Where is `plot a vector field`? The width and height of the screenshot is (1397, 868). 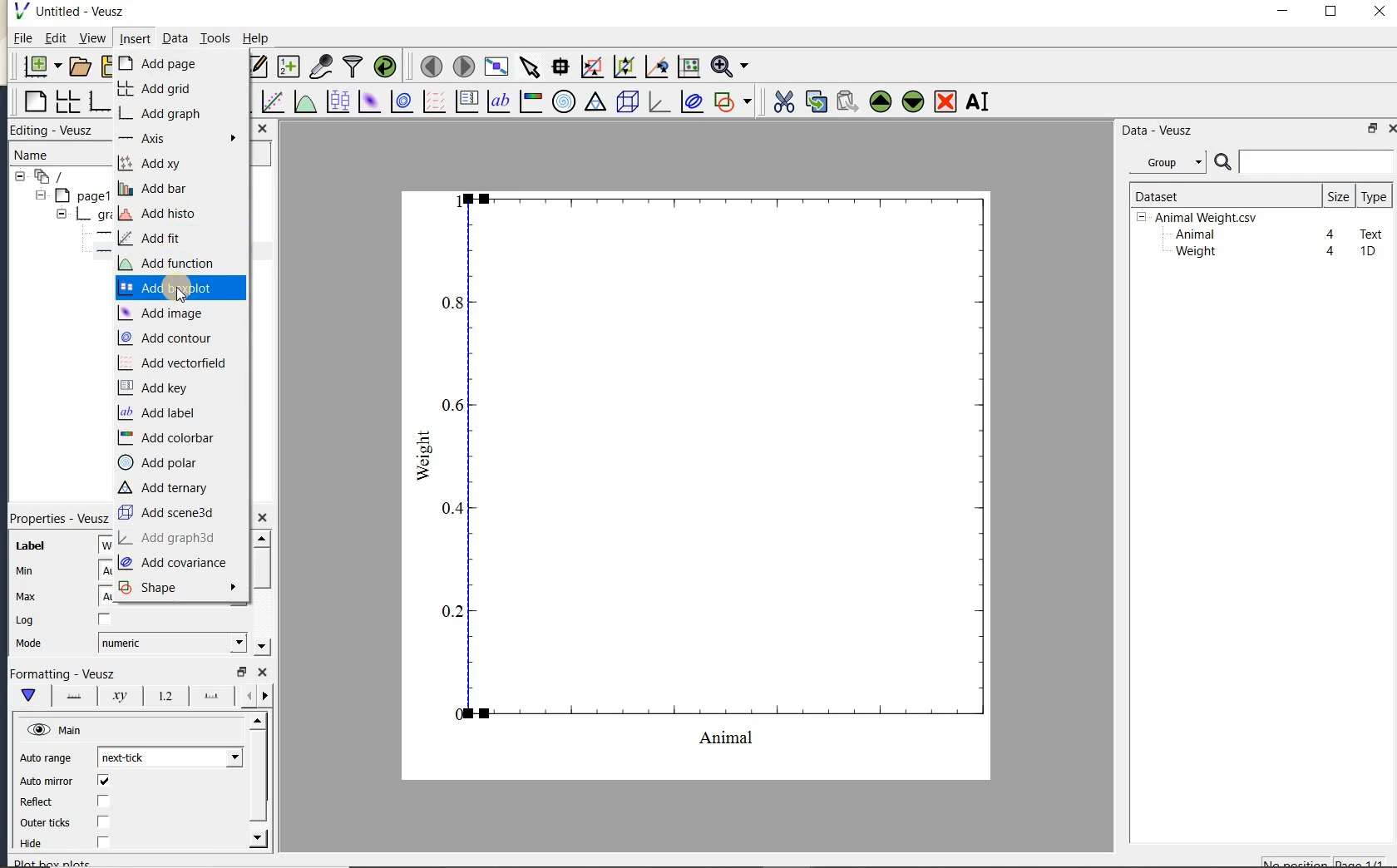 plot a vector field is located at coordinates (432, 102).